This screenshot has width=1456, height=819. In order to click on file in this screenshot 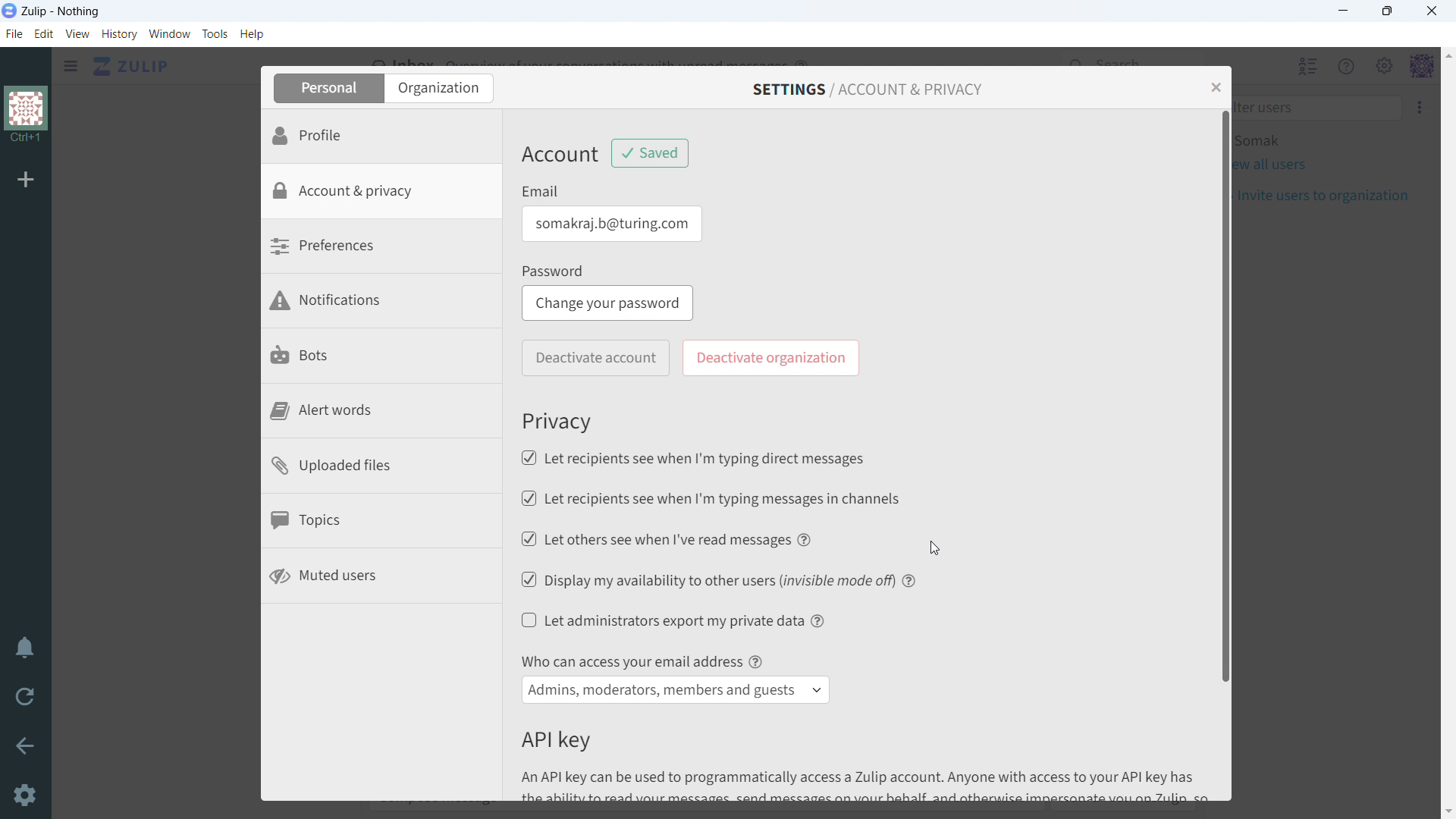, I will do `click(14, 33)`.